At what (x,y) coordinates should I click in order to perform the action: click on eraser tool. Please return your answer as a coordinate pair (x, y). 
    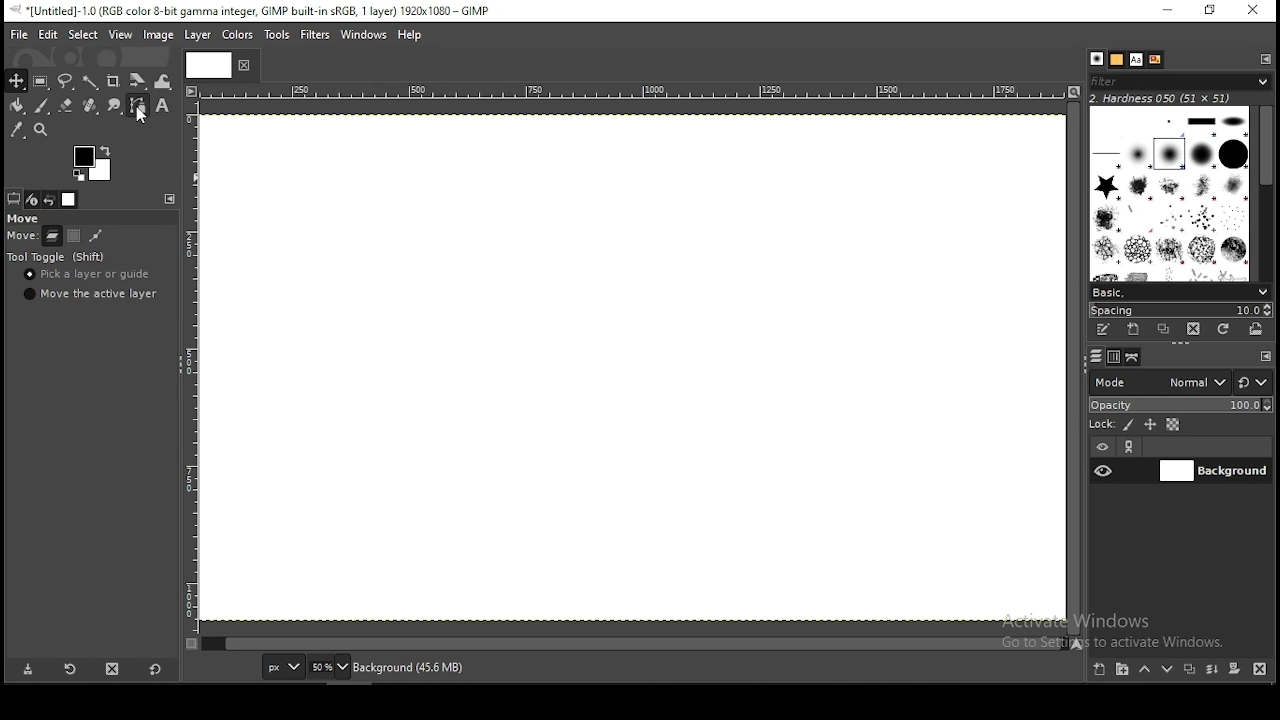
    Looking at the image, I should click on (66, 108).